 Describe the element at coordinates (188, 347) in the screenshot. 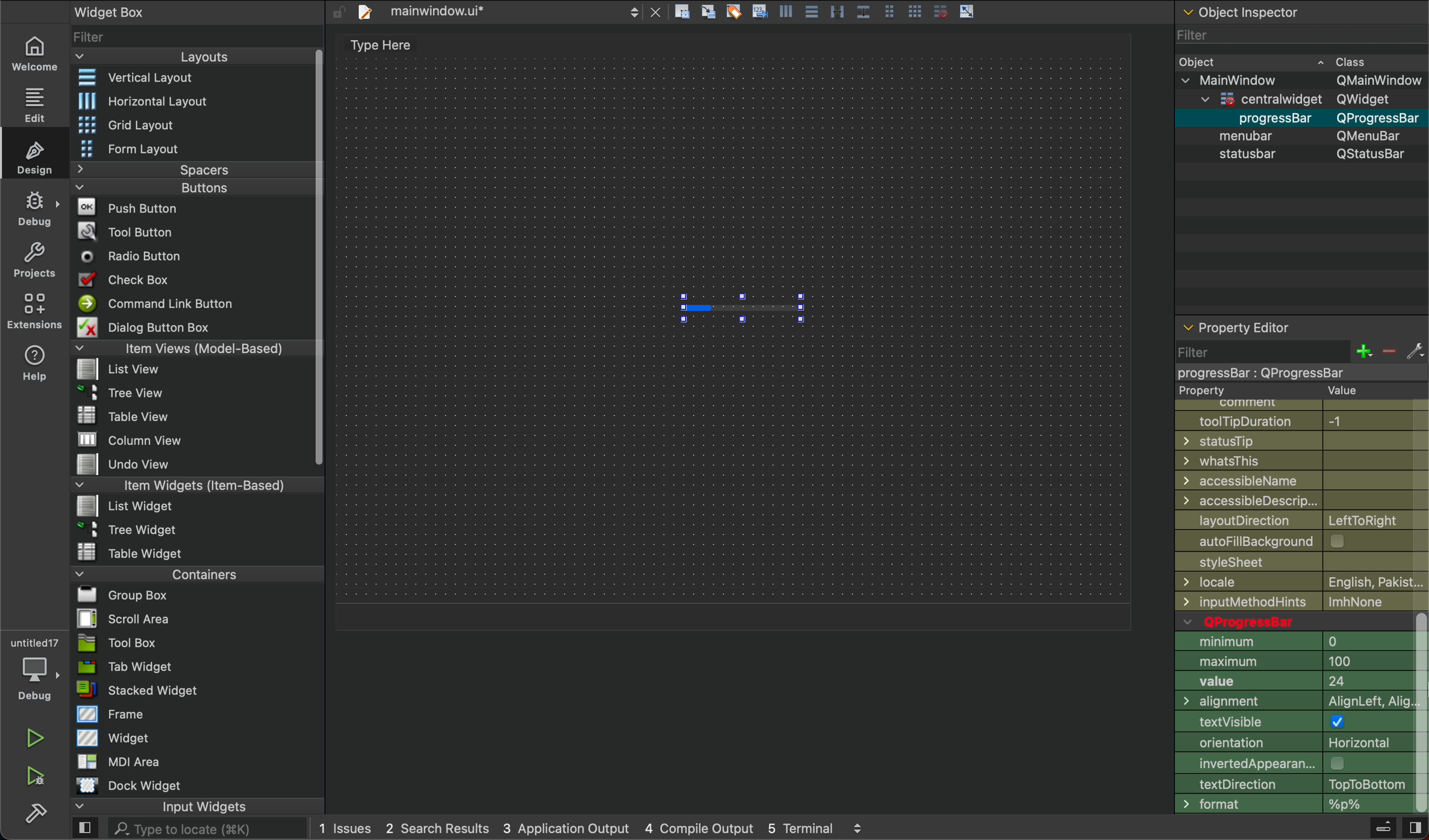

I see `Items View` at that location.